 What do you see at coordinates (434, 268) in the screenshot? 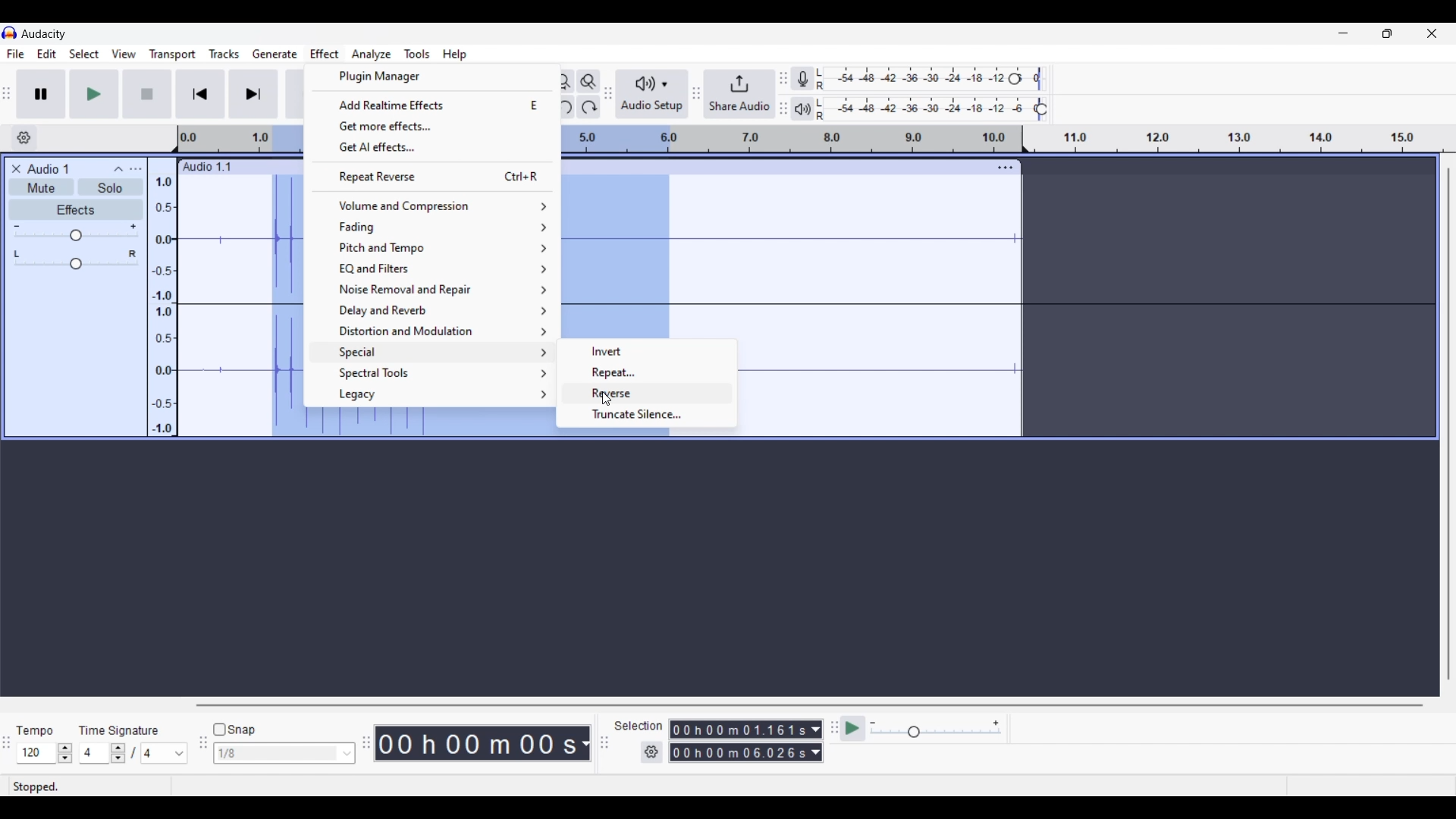
I see `EQ and filter options ` at bounding box center [434, 268].